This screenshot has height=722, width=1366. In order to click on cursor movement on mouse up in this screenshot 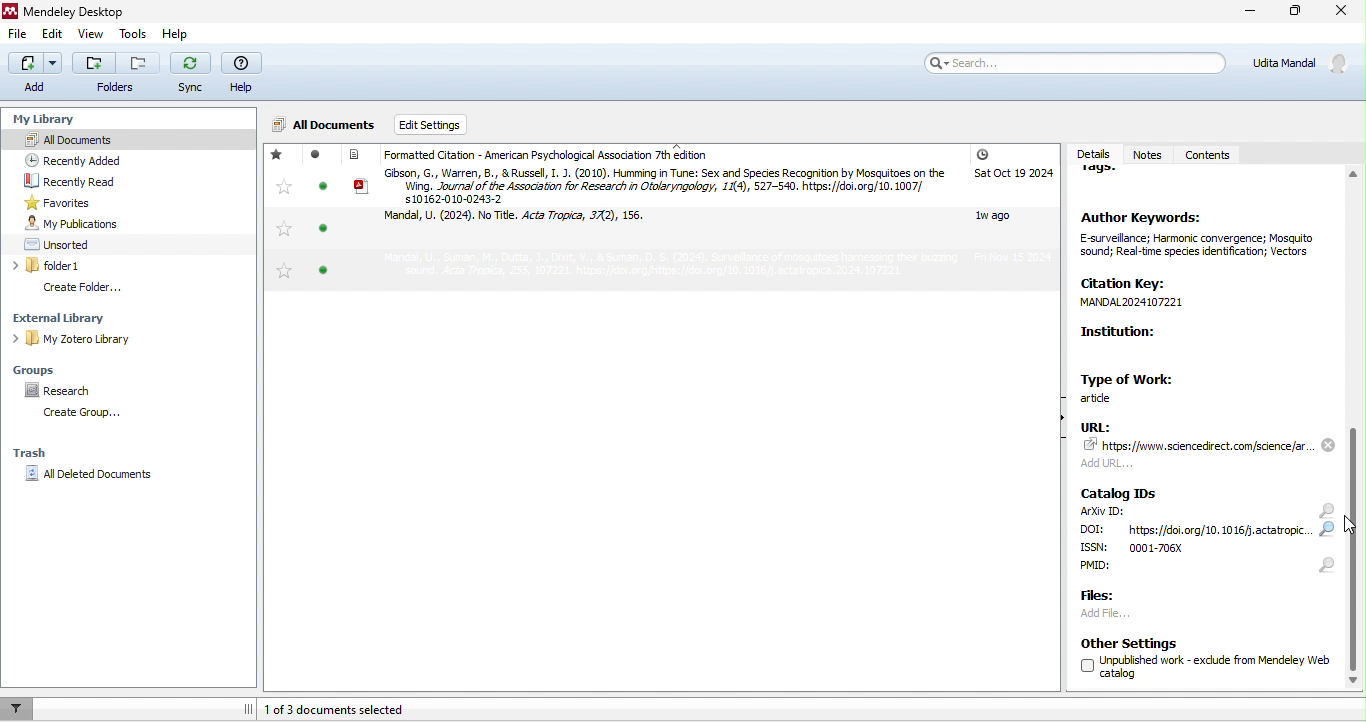, I will do `click(1353, 527)`.